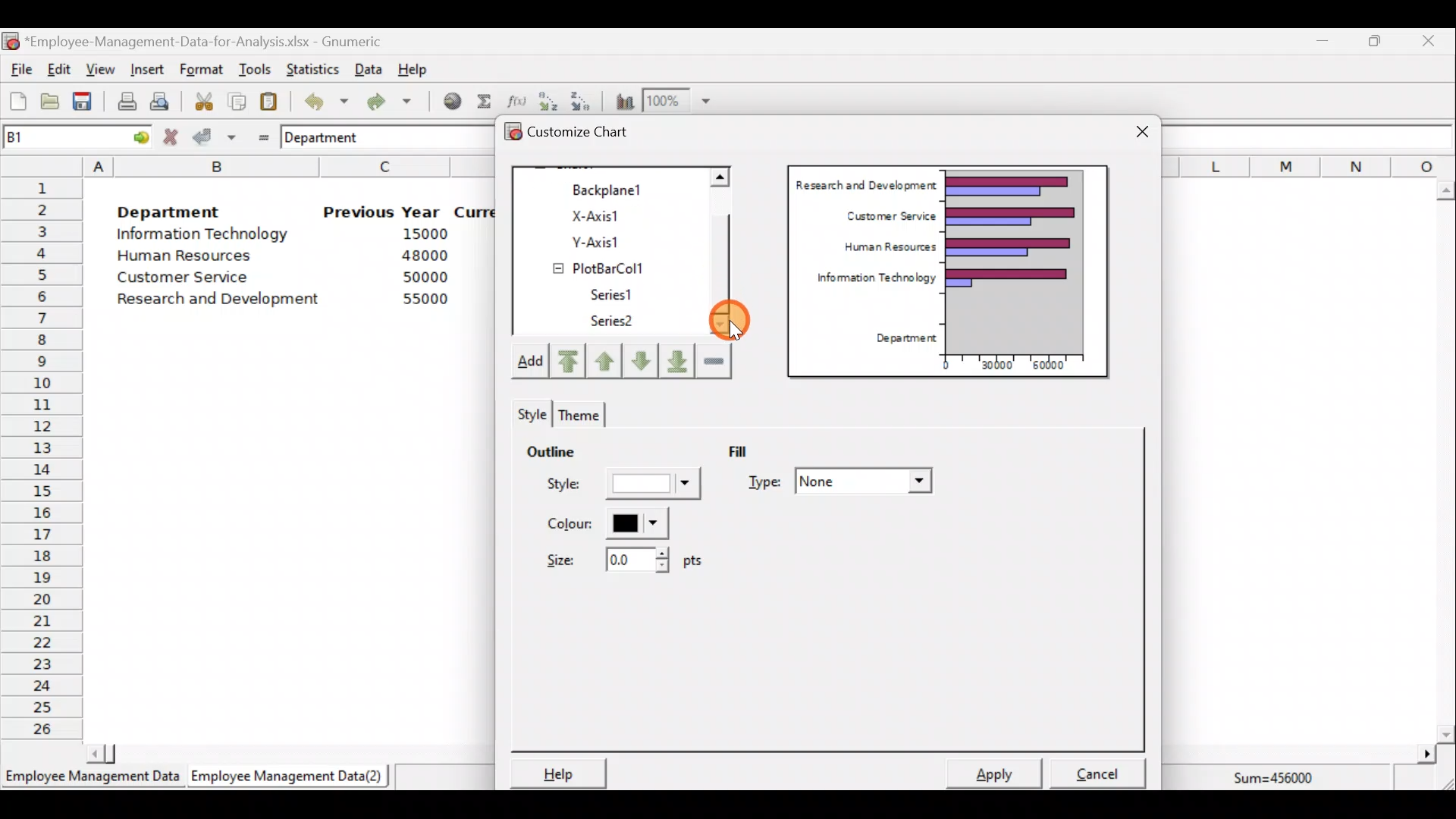 This screenshot has height=819, width=1456. Describe the element at coordinates (283, 752) in the screenshot. I see `Scroll bar` at that location.